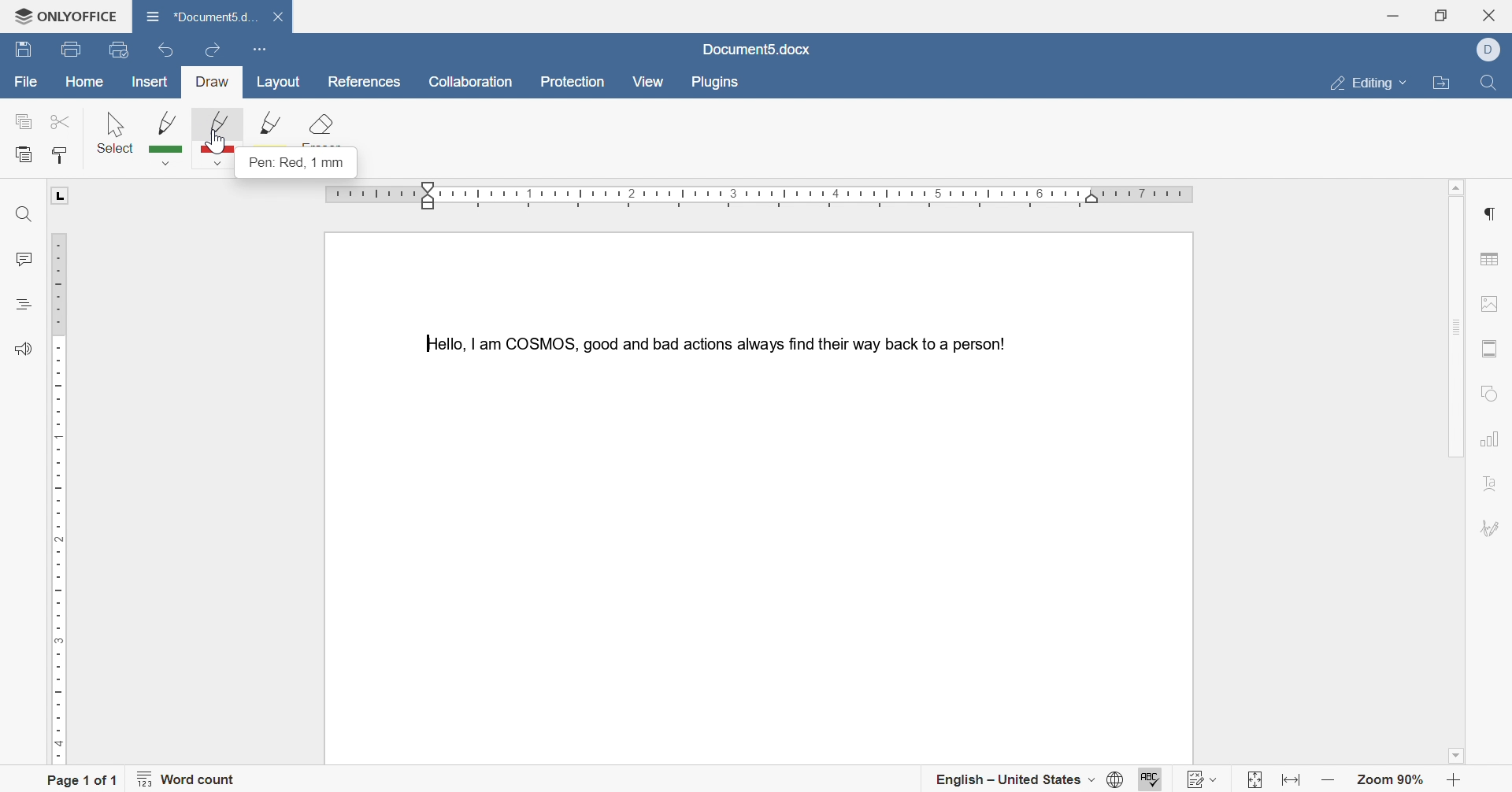 The width and height of the screenshot is (1512, 792). What do you see at coordinates (472, 83) in the screenshot?
I see `collaboration` at bounding box center [472, 83].